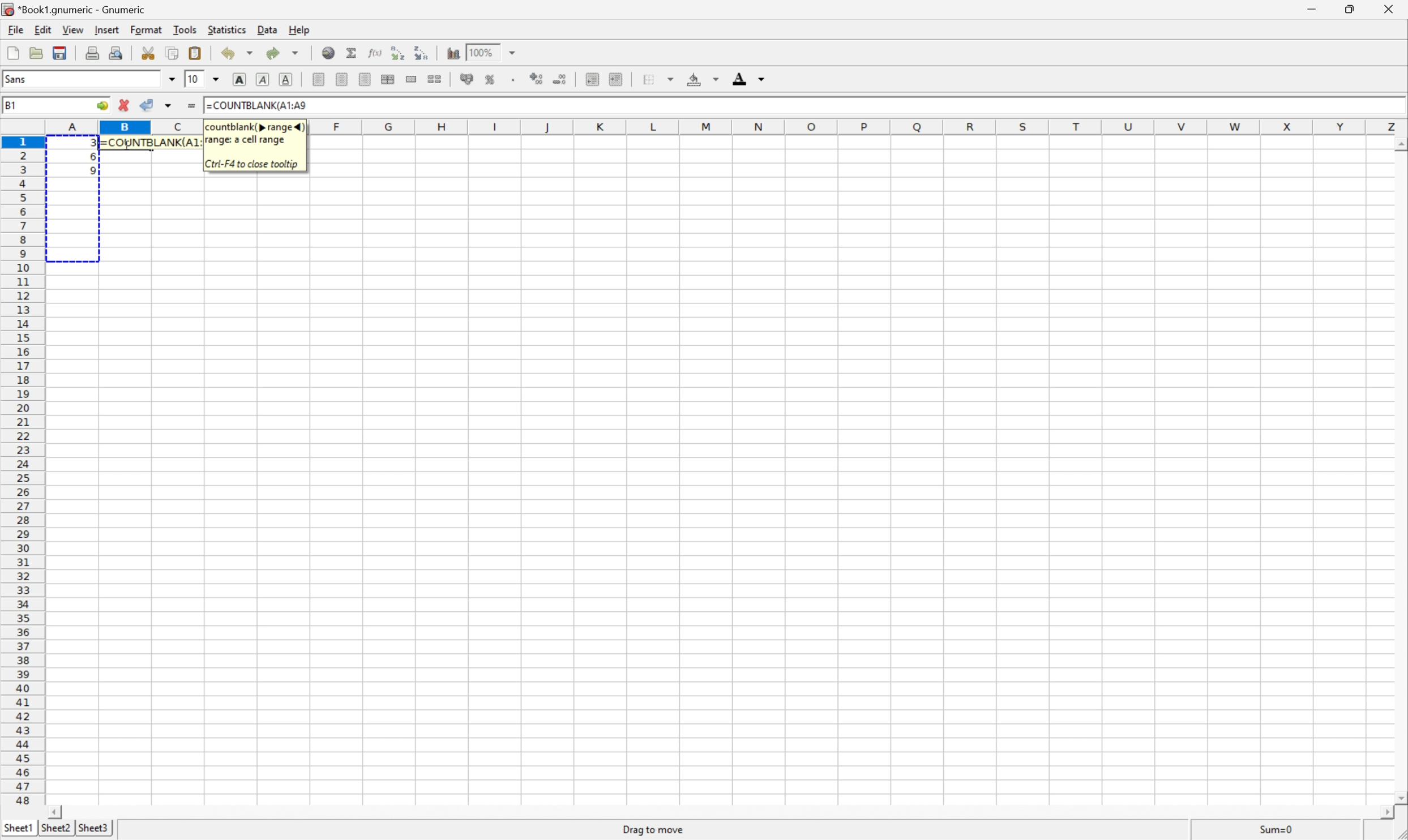 Image resolution: width=1408 pixels, height=840 pixels. What do you see at coordinates (173, 53) in the screenshot?
I see `Copy selection` at bounding box center [173, 53].